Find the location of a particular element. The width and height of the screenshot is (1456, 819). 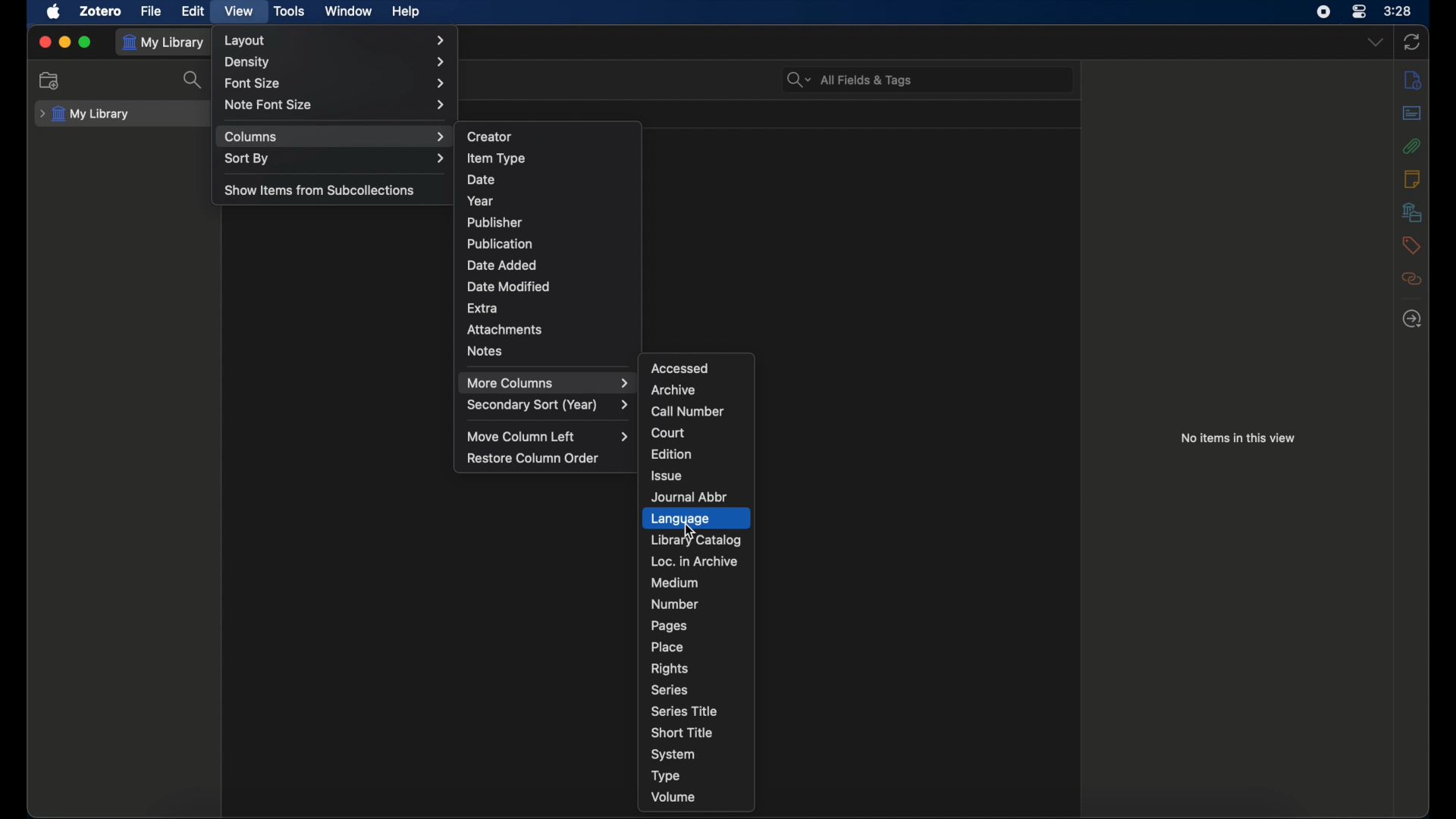

file is located at coordinates (152, 11).